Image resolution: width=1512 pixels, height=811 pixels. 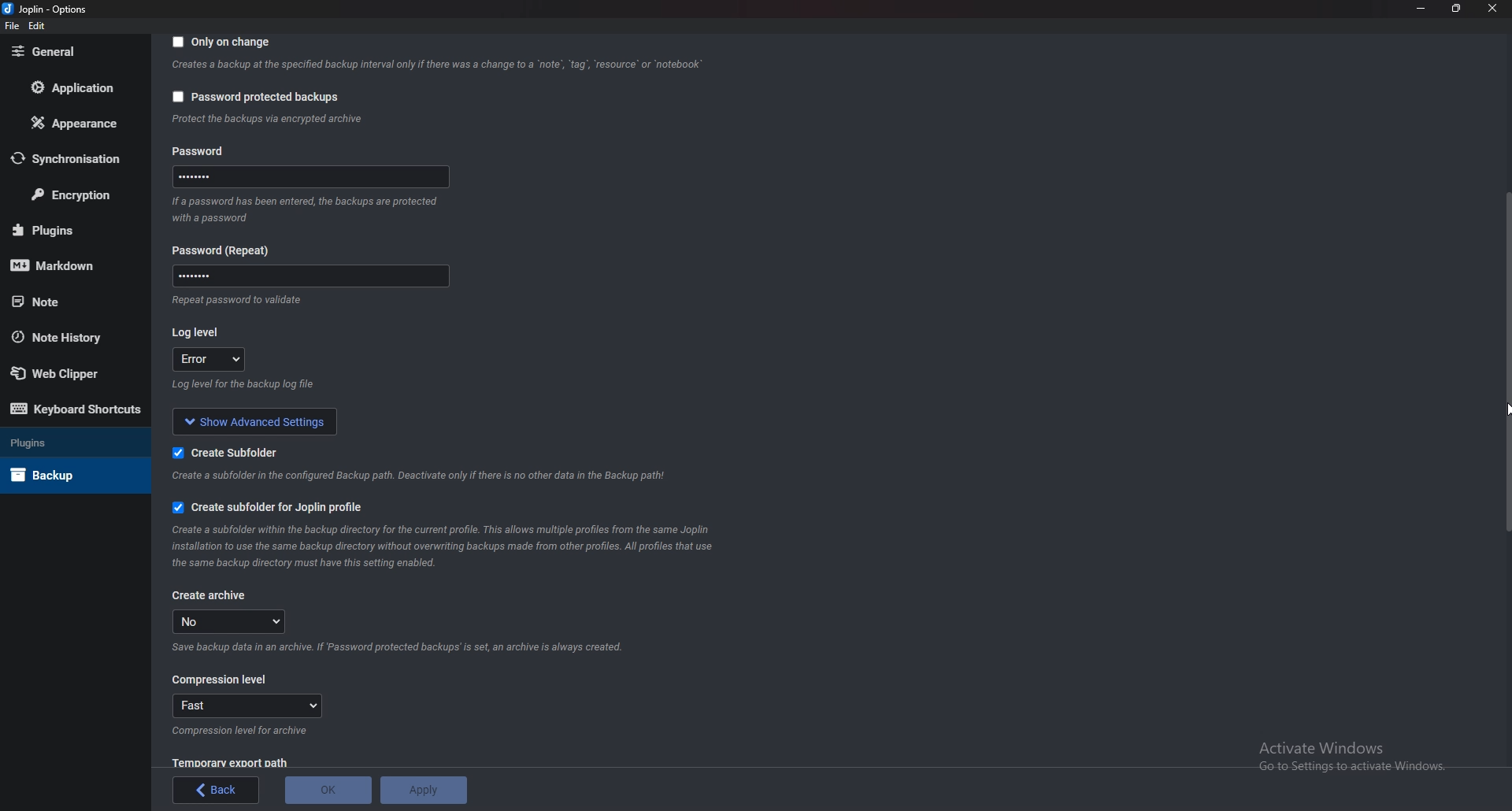 What do you see at coordinates (249, 705) in the screenshot?
I see `fast` at bounding box center [249, 705].